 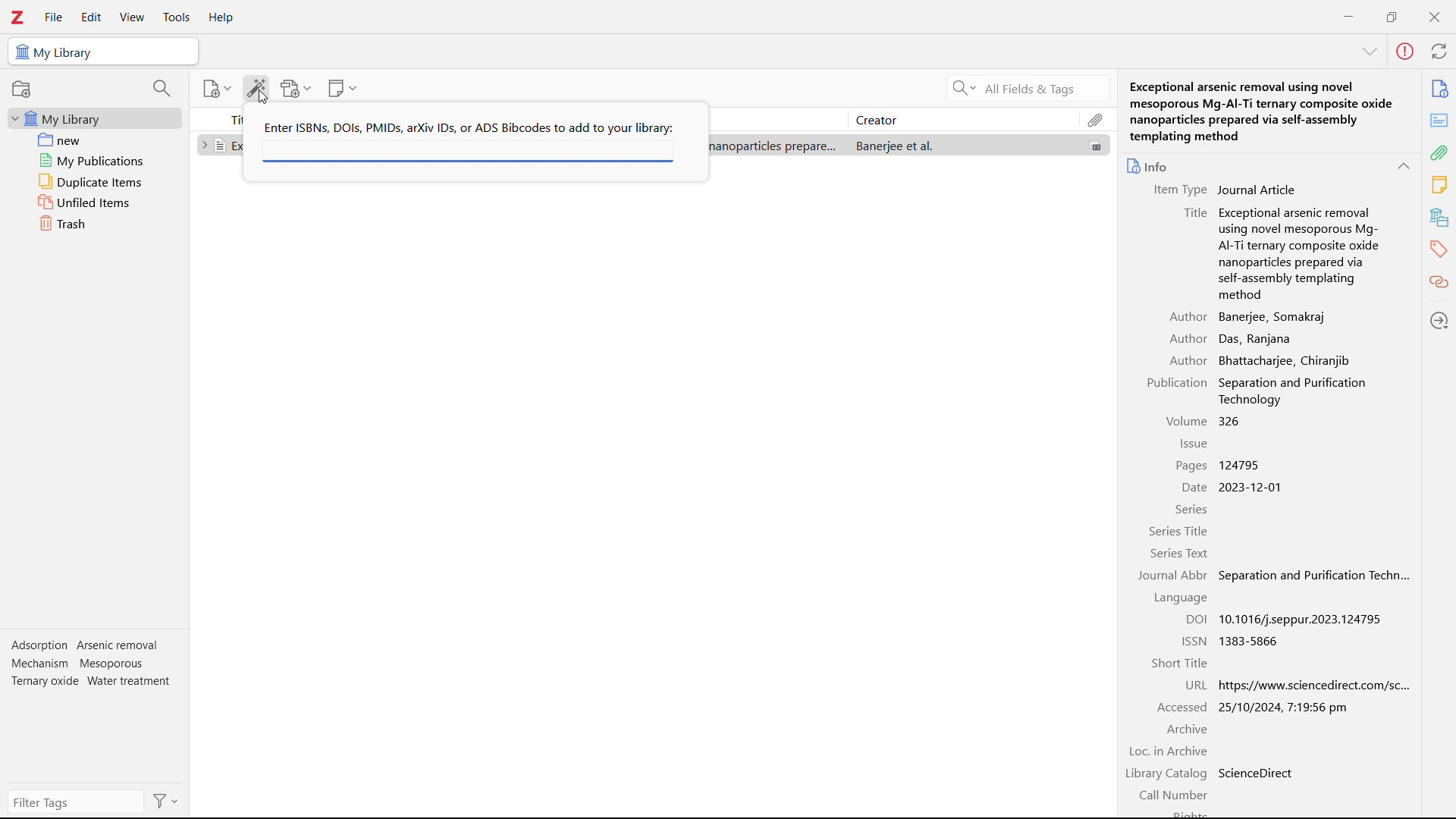 I want to click on search all fields & tags, so click(x=1025, y=89).